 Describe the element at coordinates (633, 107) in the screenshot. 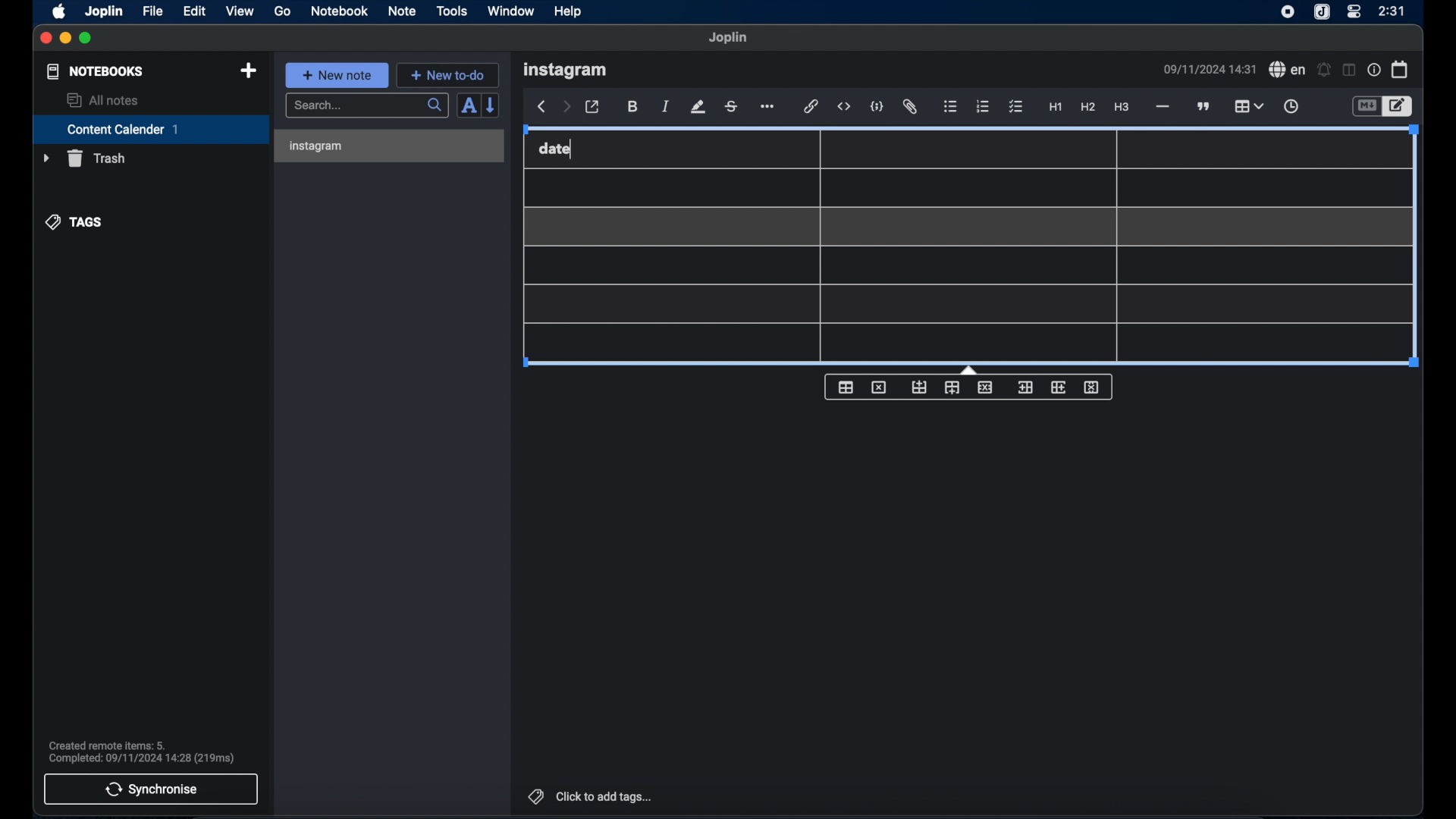

I see `bold` at that location.